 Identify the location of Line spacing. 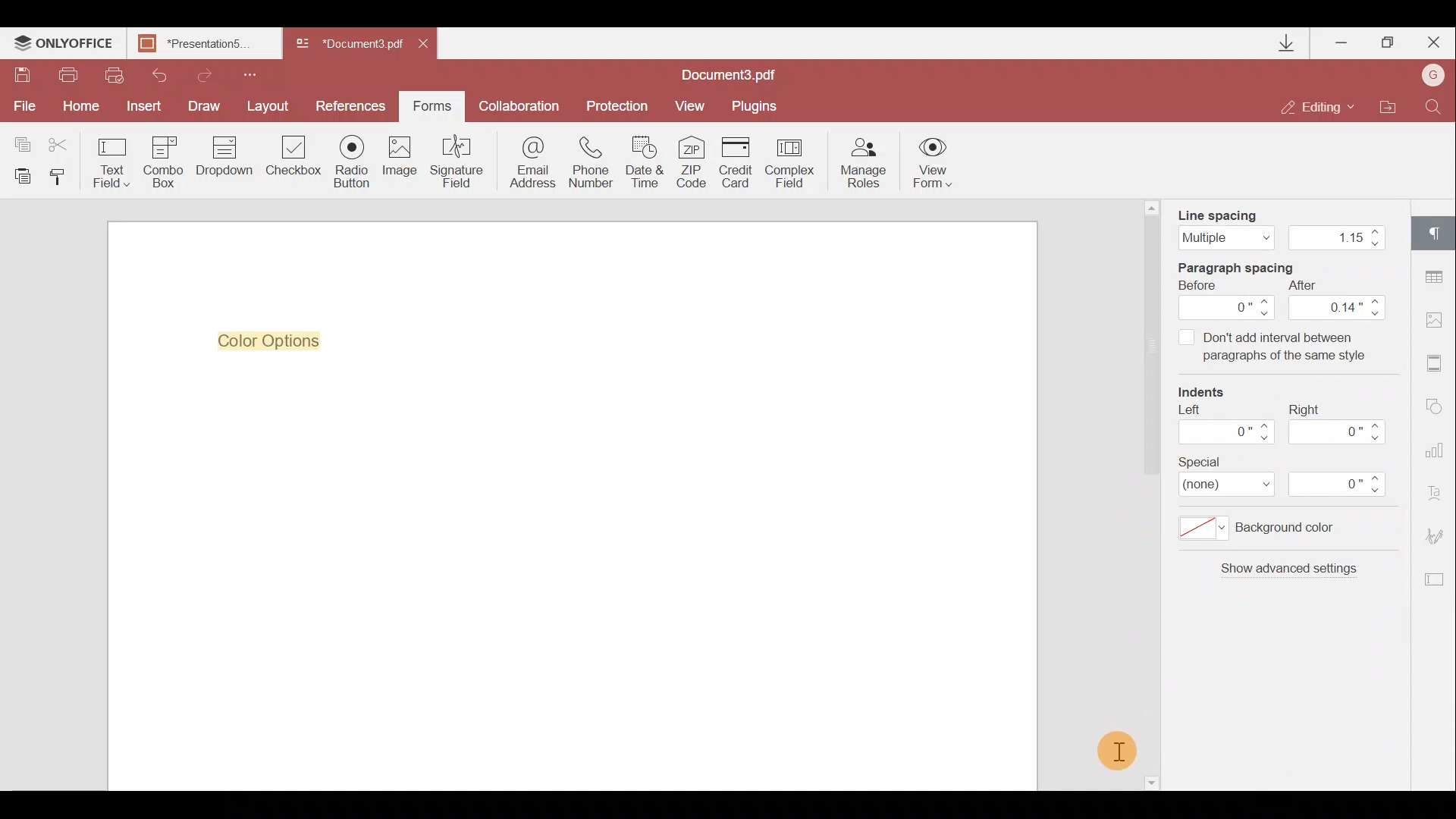
(1287, 229).